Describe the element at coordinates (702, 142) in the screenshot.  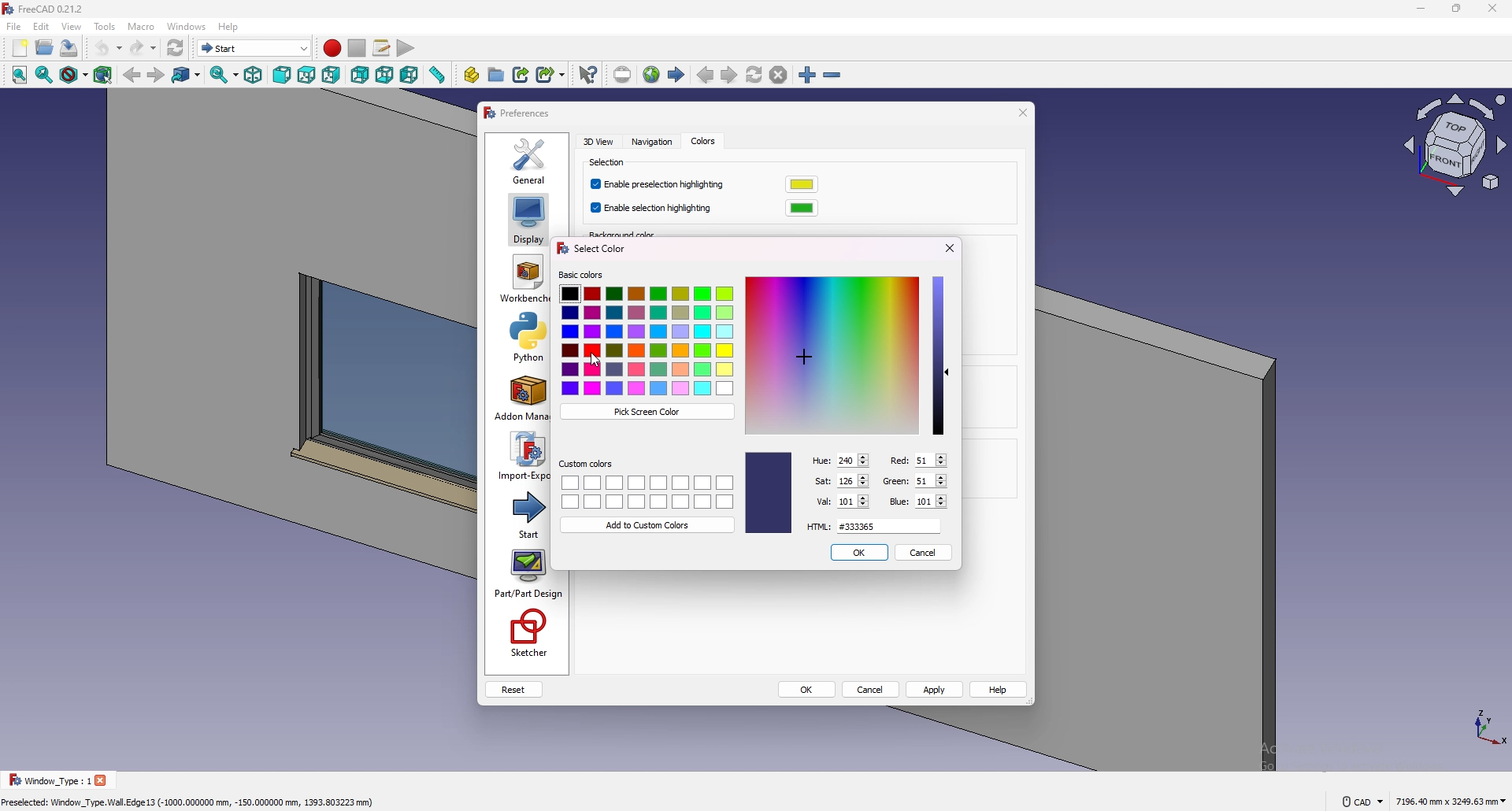
I see `colors` at that location.